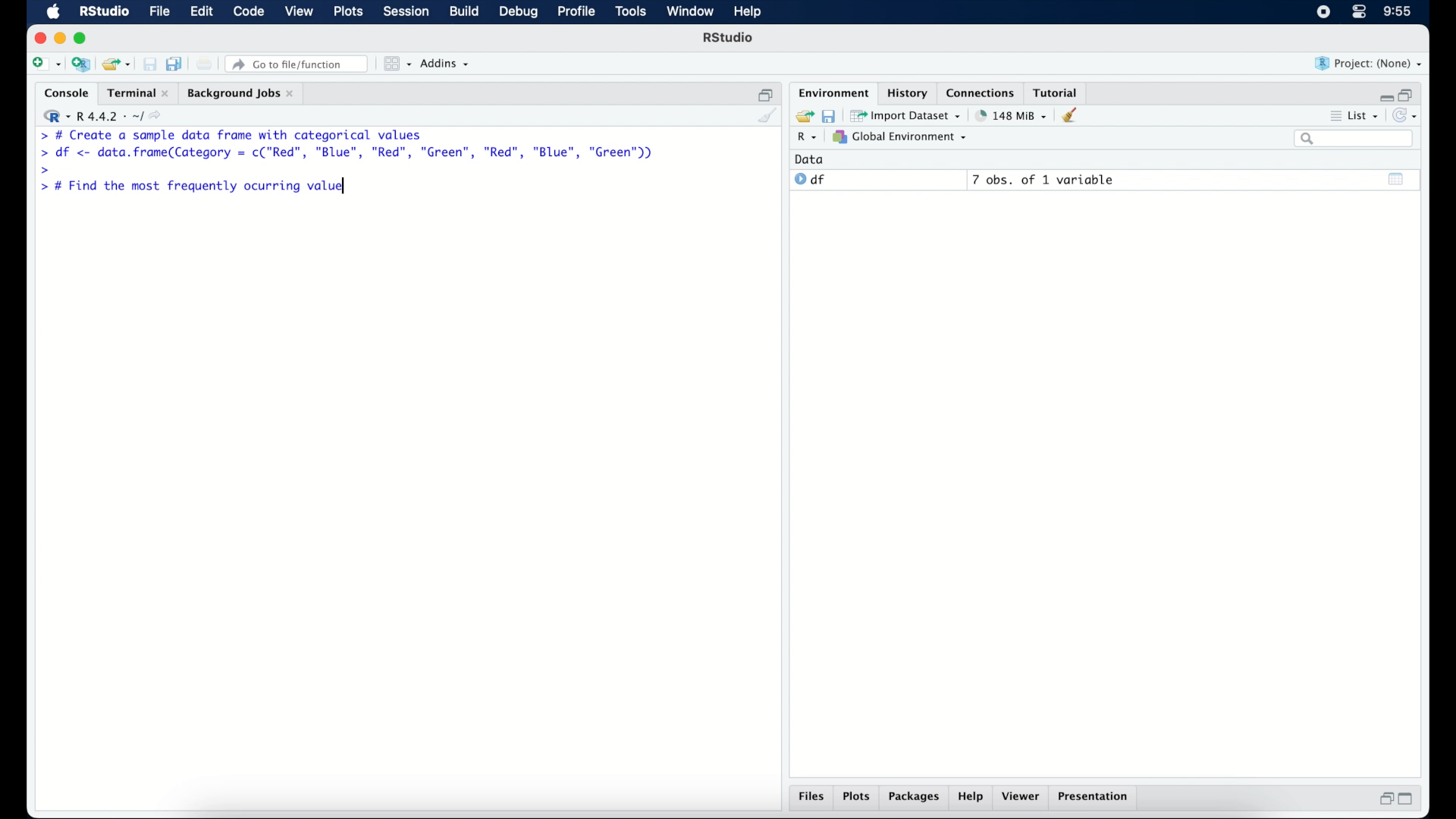  What do you see at coordinates (45, 63) in the screenshot?
I see `new file` at bounding box center [45, 63].